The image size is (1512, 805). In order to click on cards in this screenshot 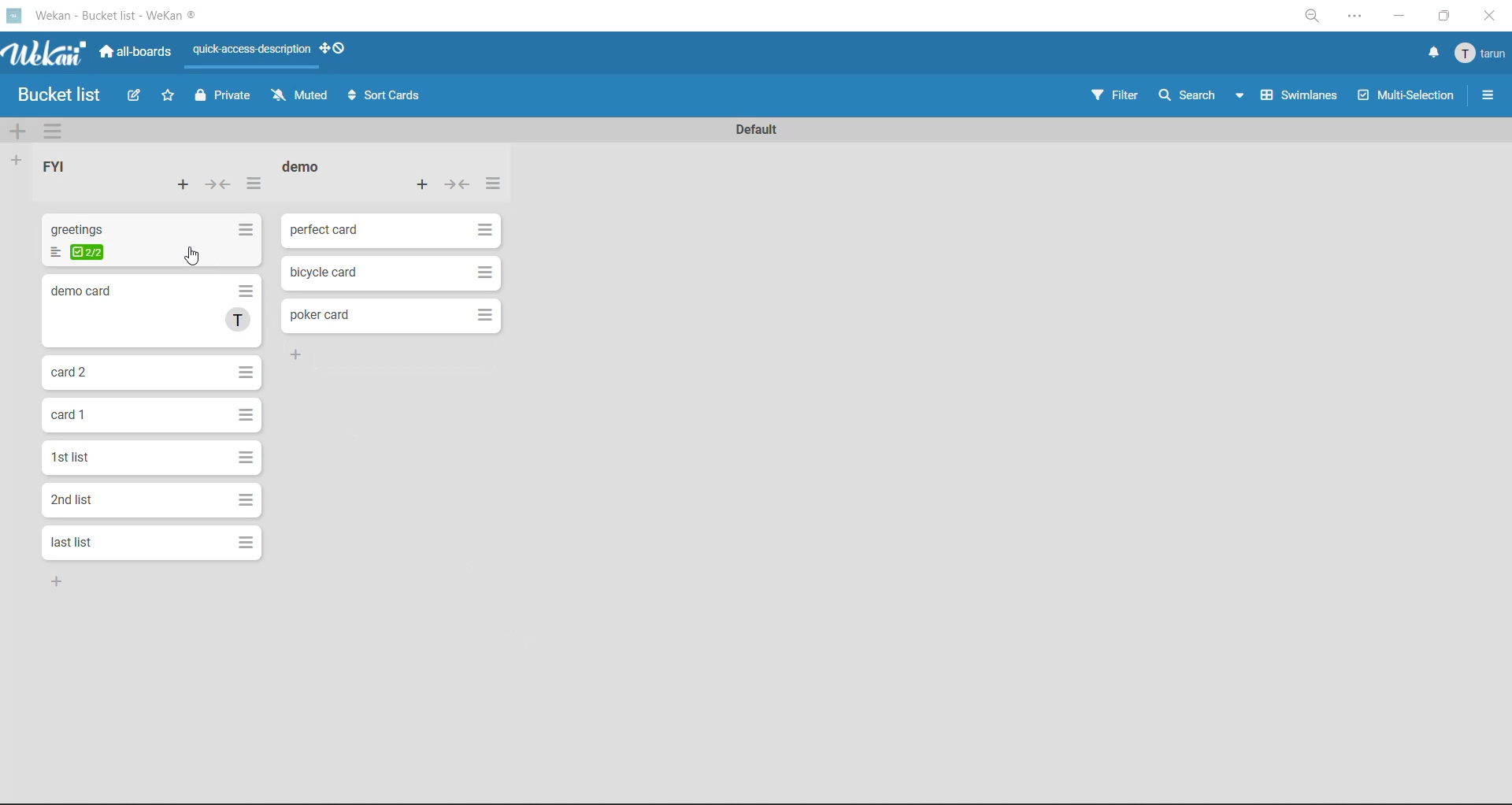, I will do `click(150, 501)`.